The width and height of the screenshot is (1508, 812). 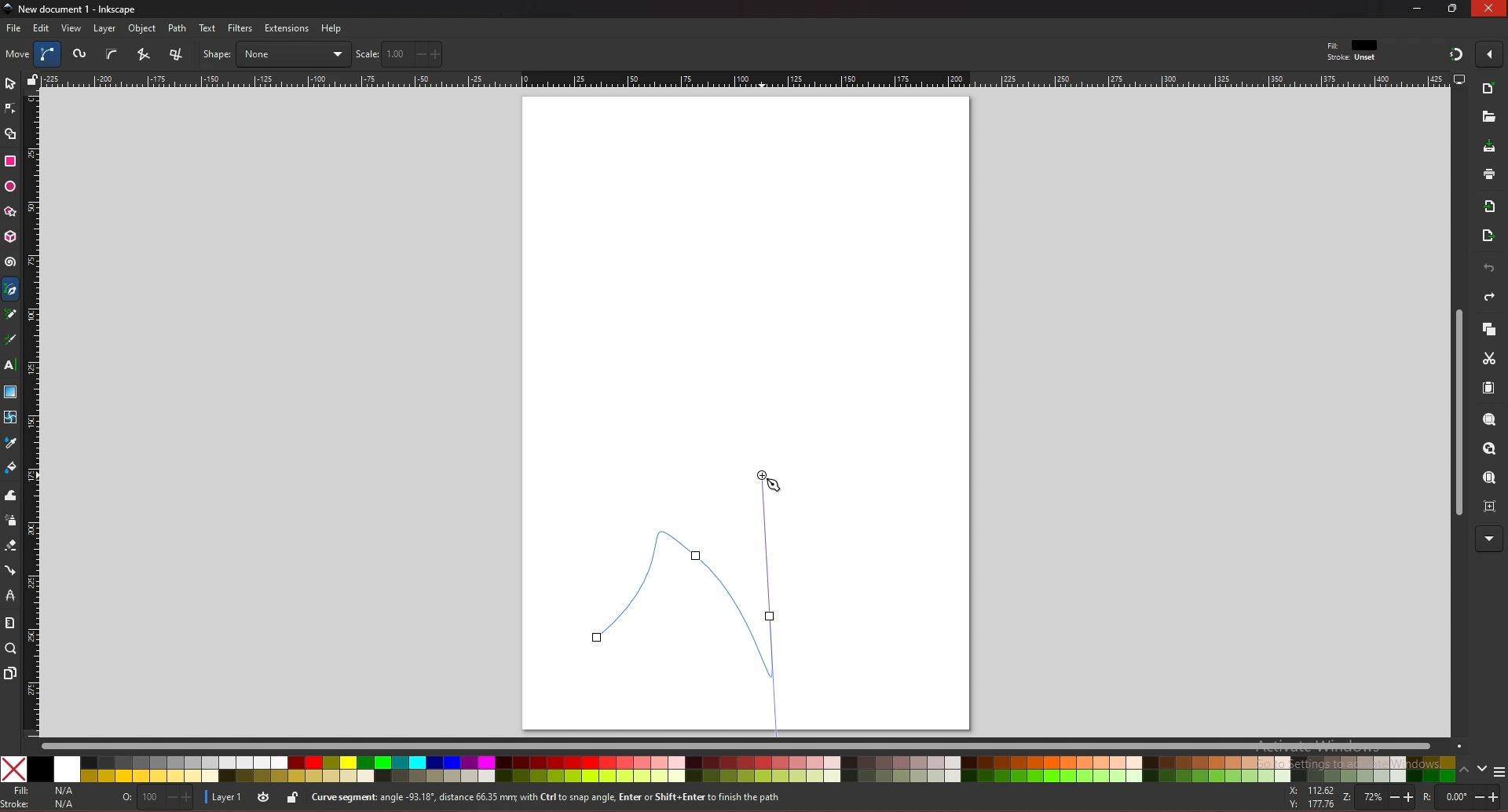 What do you see at coordinates (286, 29) in the screenshot?
I see `extensions` at bounding box center [286, 29].